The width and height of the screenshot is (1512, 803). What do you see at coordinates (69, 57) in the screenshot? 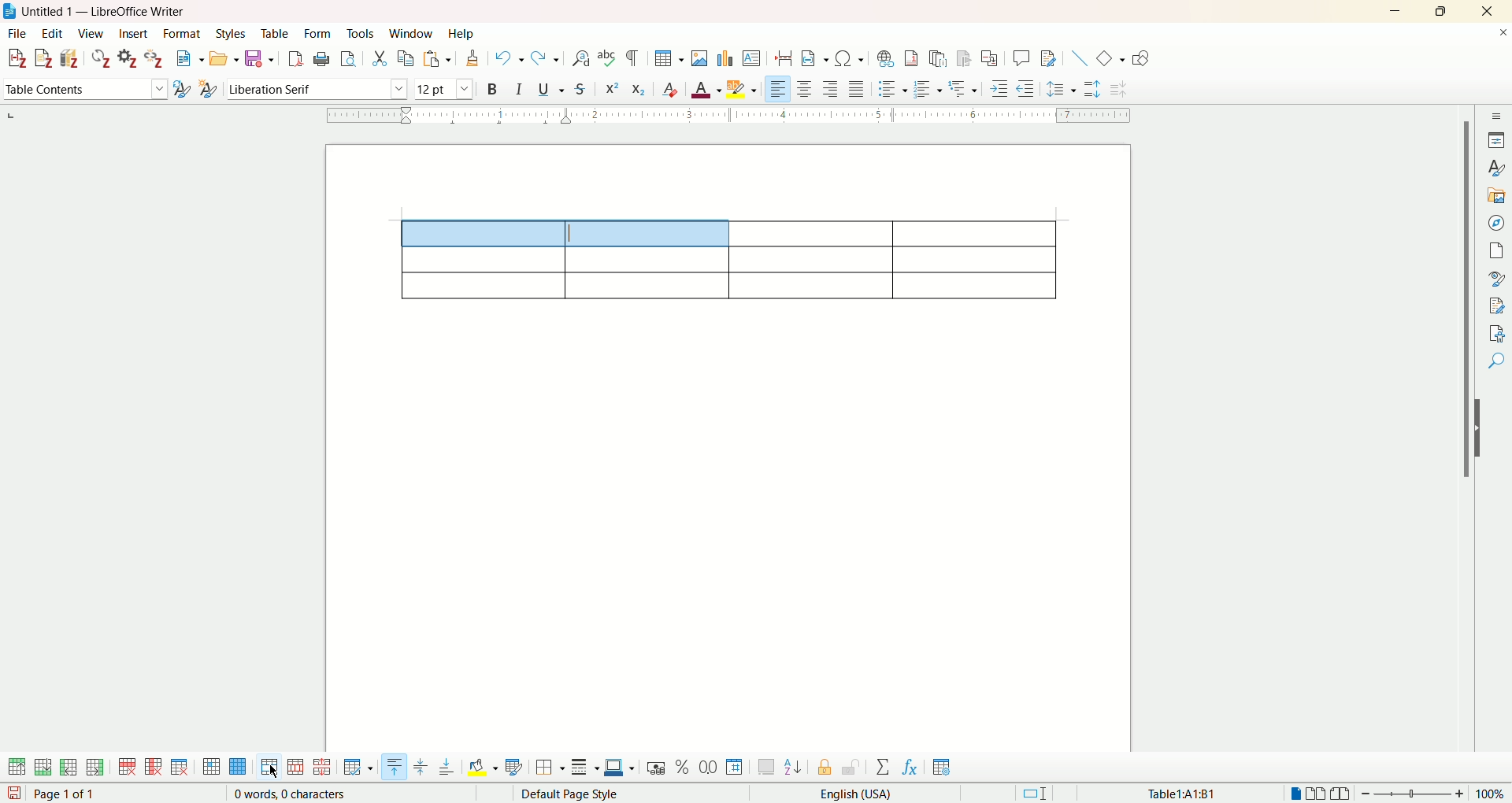
I see `add bibliography` at bounding box center [69, 57].